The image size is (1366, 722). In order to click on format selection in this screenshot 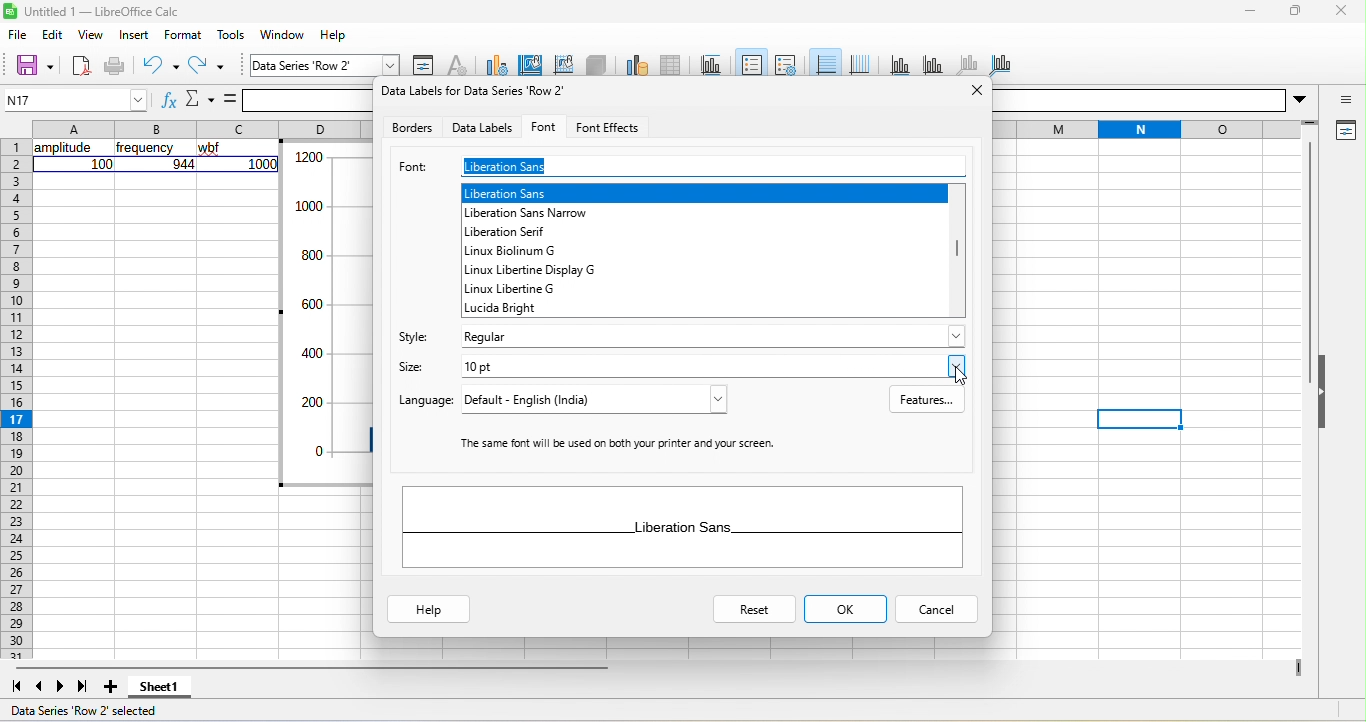, I will do `click(425, 63)`.